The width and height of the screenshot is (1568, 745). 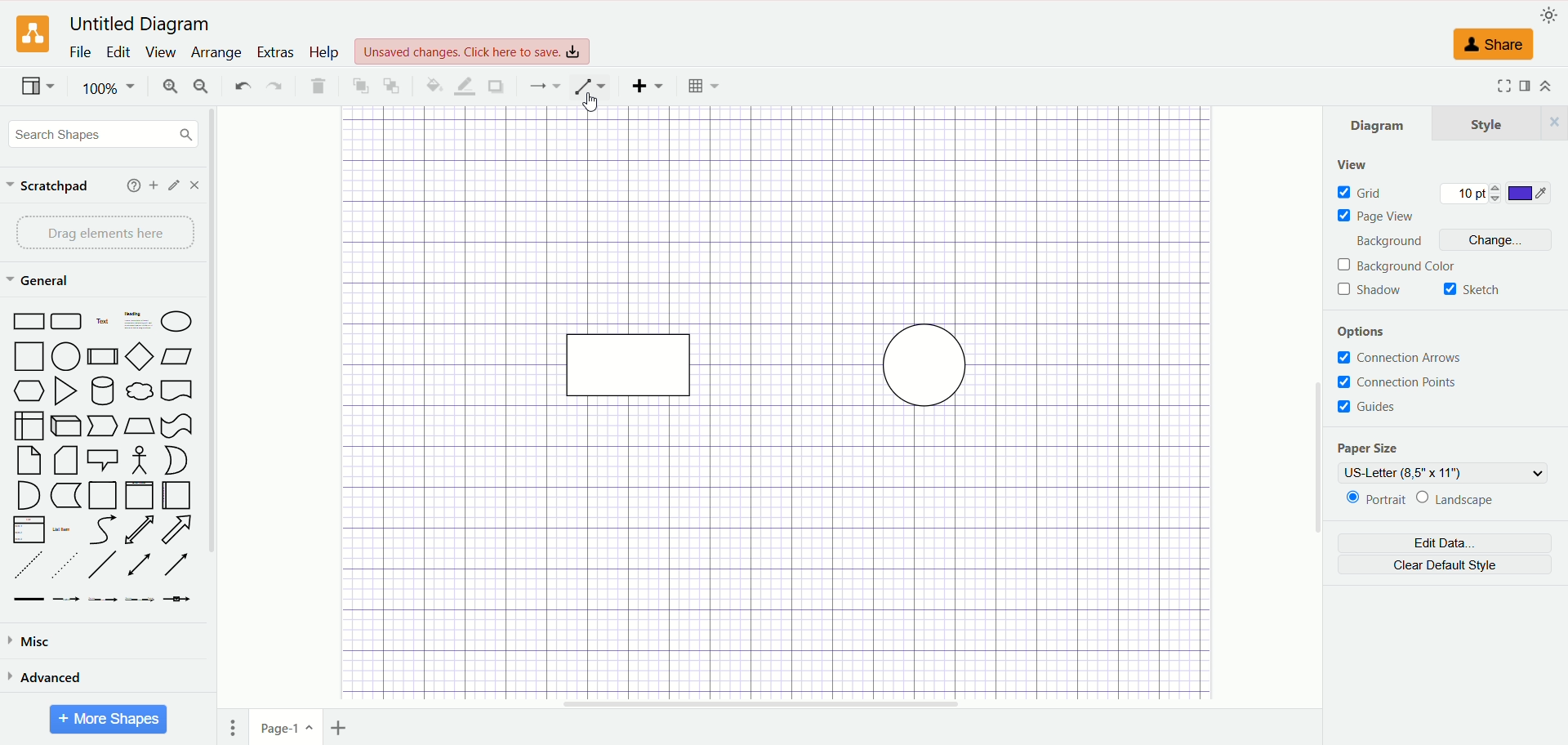 What do you see at coordinates (104, 565) in the screenshot?
I see `Line` at bounding box center [104, 565].